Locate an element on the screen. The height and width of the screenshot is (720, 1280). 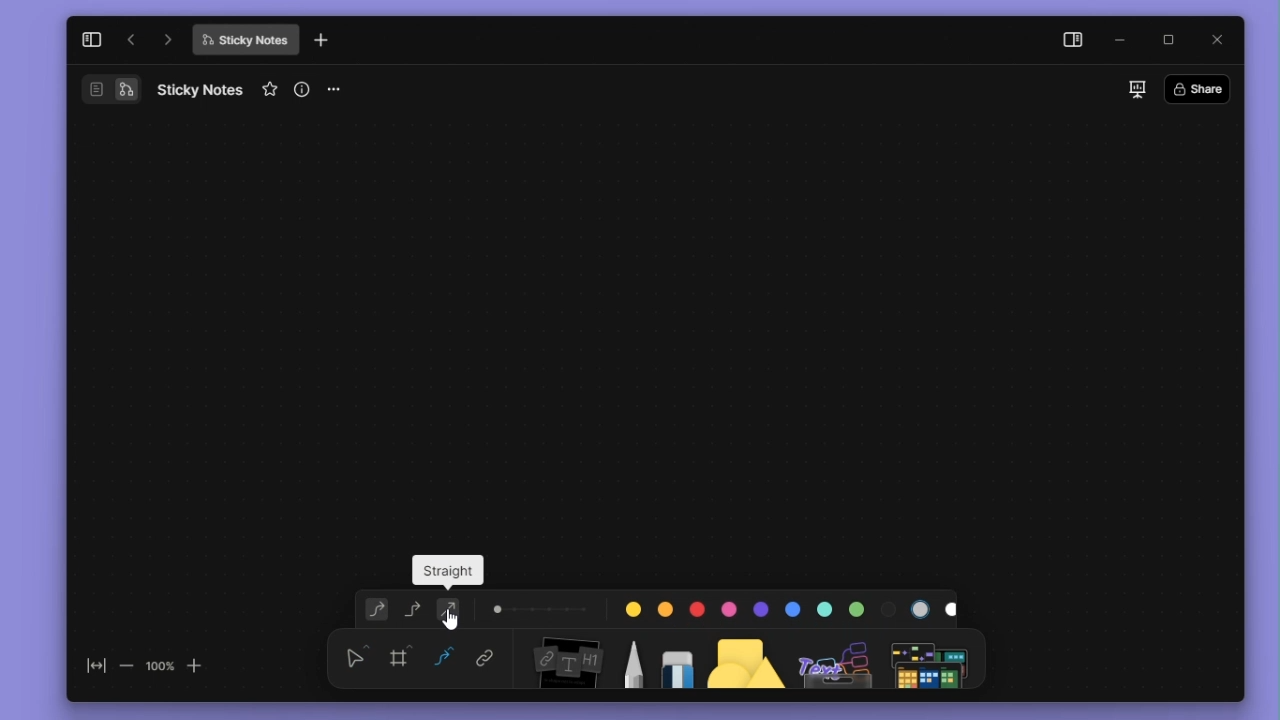
shape is located at coordinates (747, 657).